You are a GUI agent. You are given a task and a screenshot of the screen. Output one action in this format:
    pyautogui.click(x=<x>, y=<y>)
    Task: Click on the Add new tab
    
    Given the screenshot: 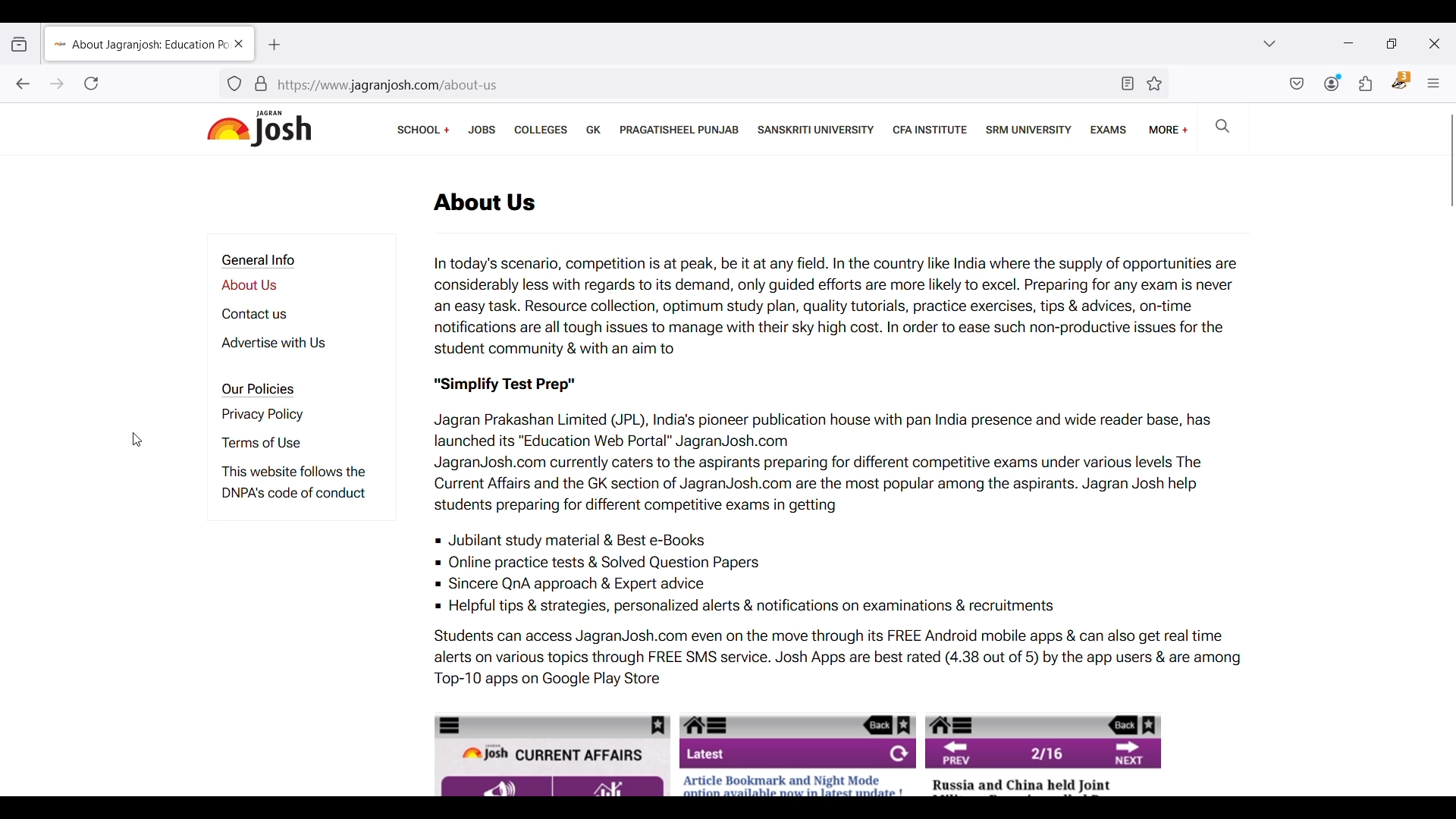 What is the action you would take?
    pyautogui.click(x=275, y=45)
    